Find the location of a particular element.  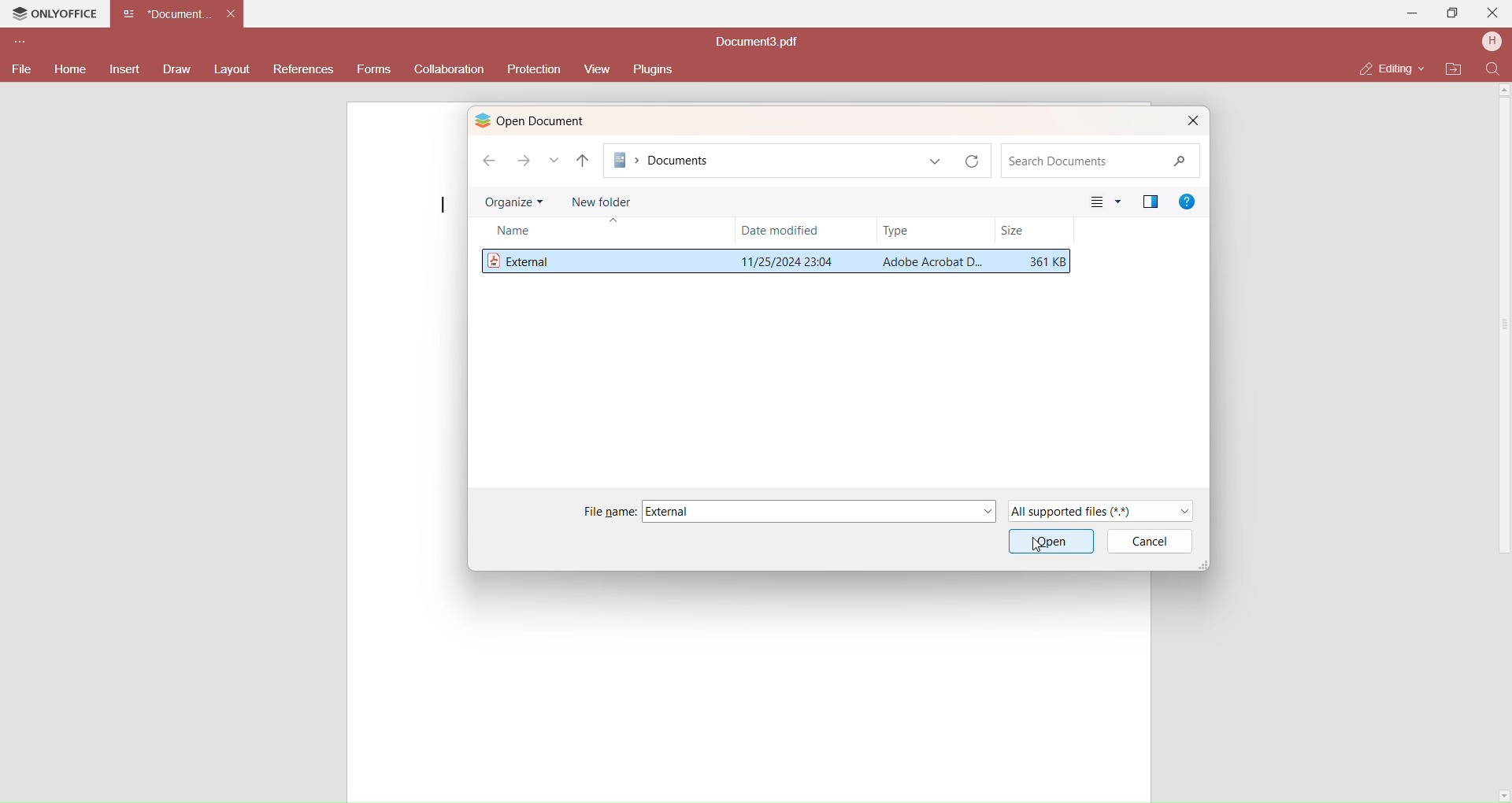

Date Modified is located at coordinates (781, 229).